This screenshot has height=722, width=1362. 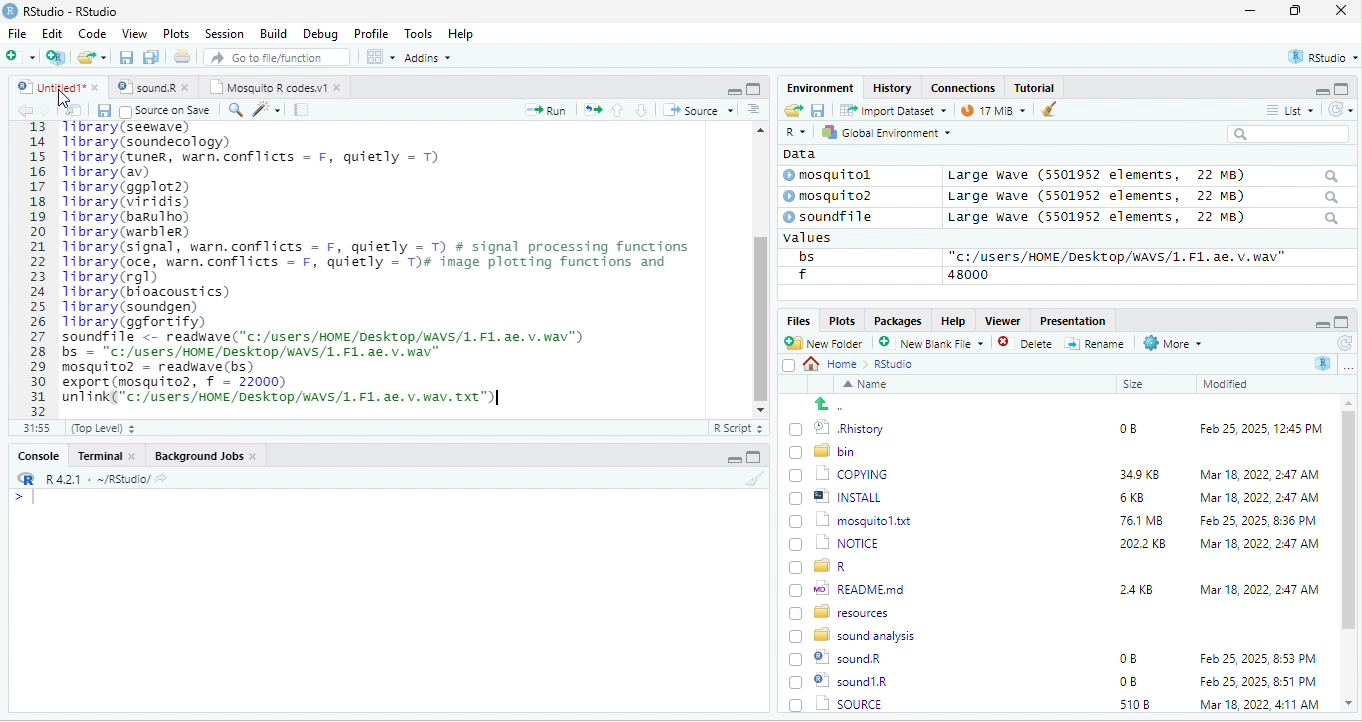 I want to click on Size, so click(x=1134, y=385).